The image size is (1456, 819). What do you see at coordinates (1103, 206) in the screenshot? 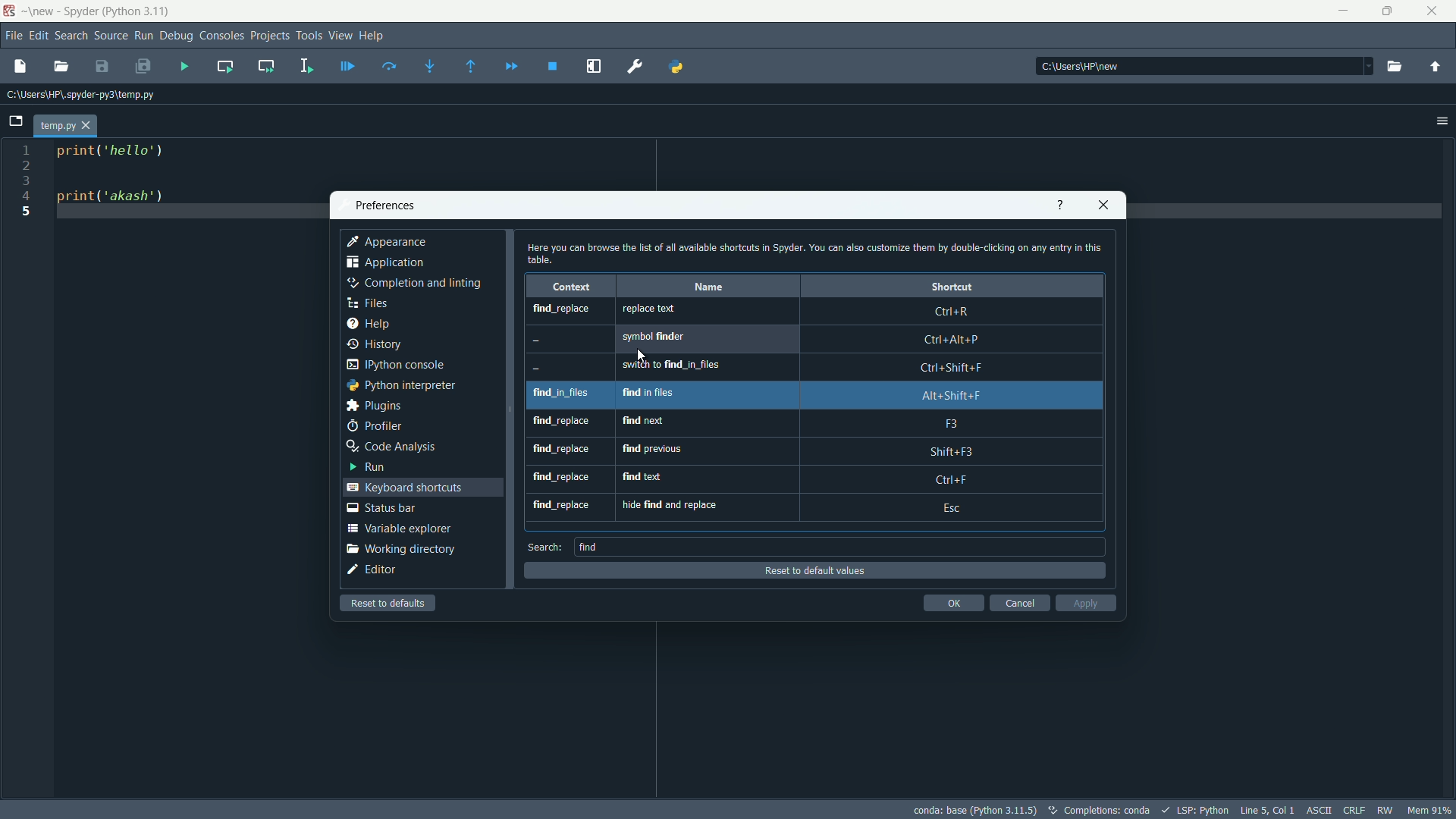
I see `close app` at bounding box center [1103, 206].